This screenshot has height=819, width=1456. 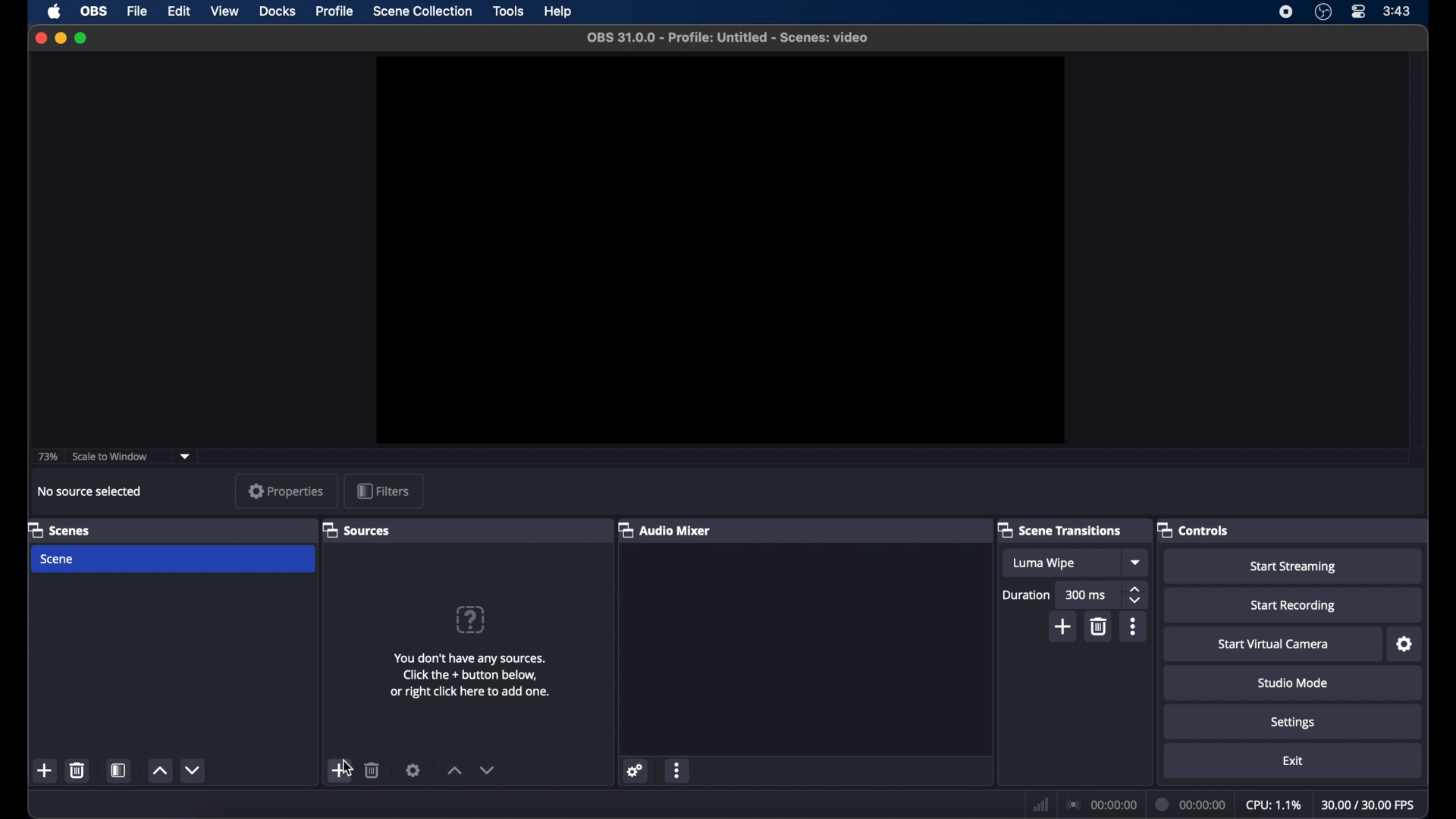 What do you see at coordinates (470, 620) in the screenshot?
I see `question mark icon` at bounding box center [470, 620].